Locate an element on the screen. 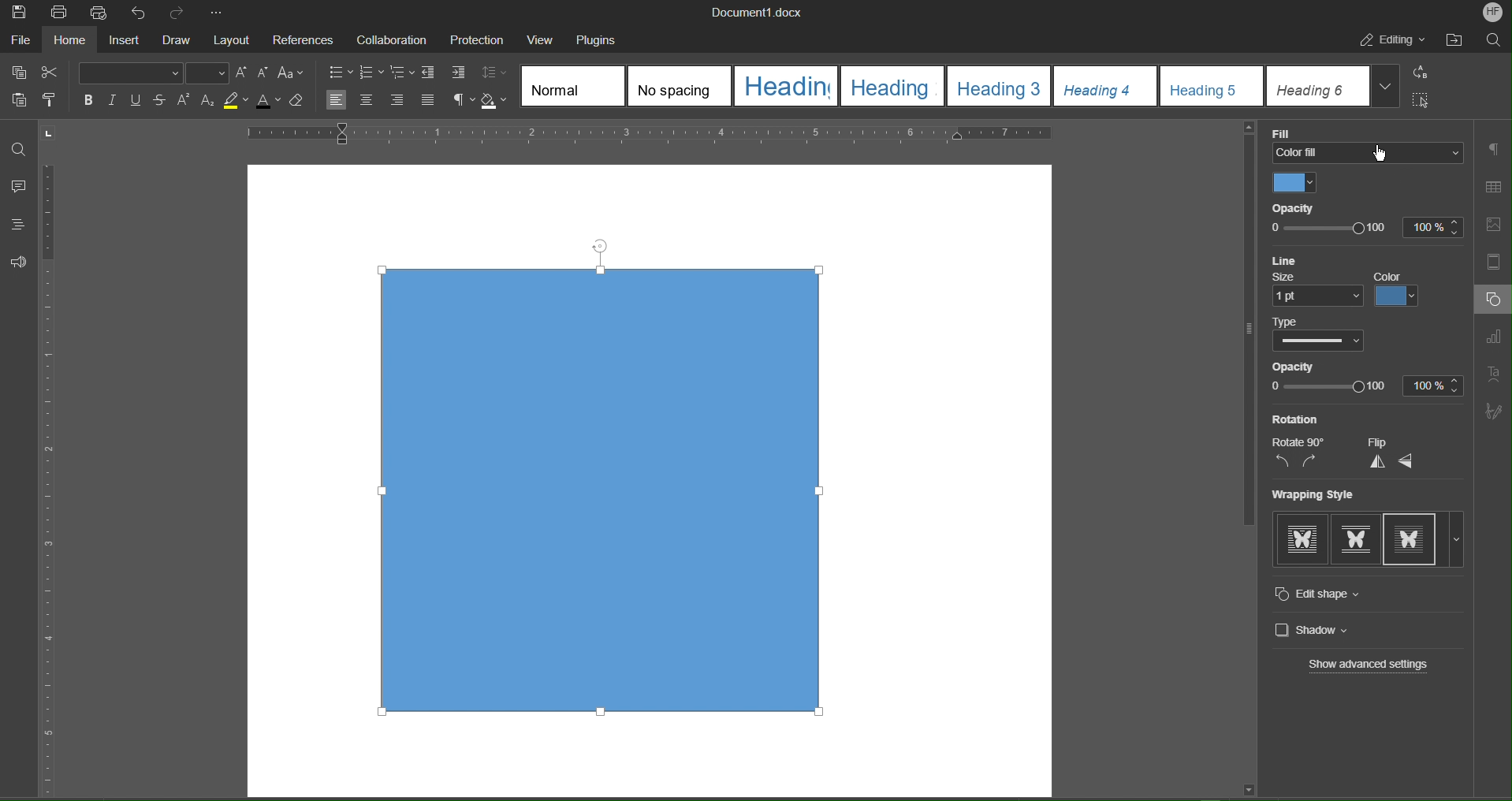 This screenshot has height=801, width=1512. Heading 2 is located at coordinates (891, 87).